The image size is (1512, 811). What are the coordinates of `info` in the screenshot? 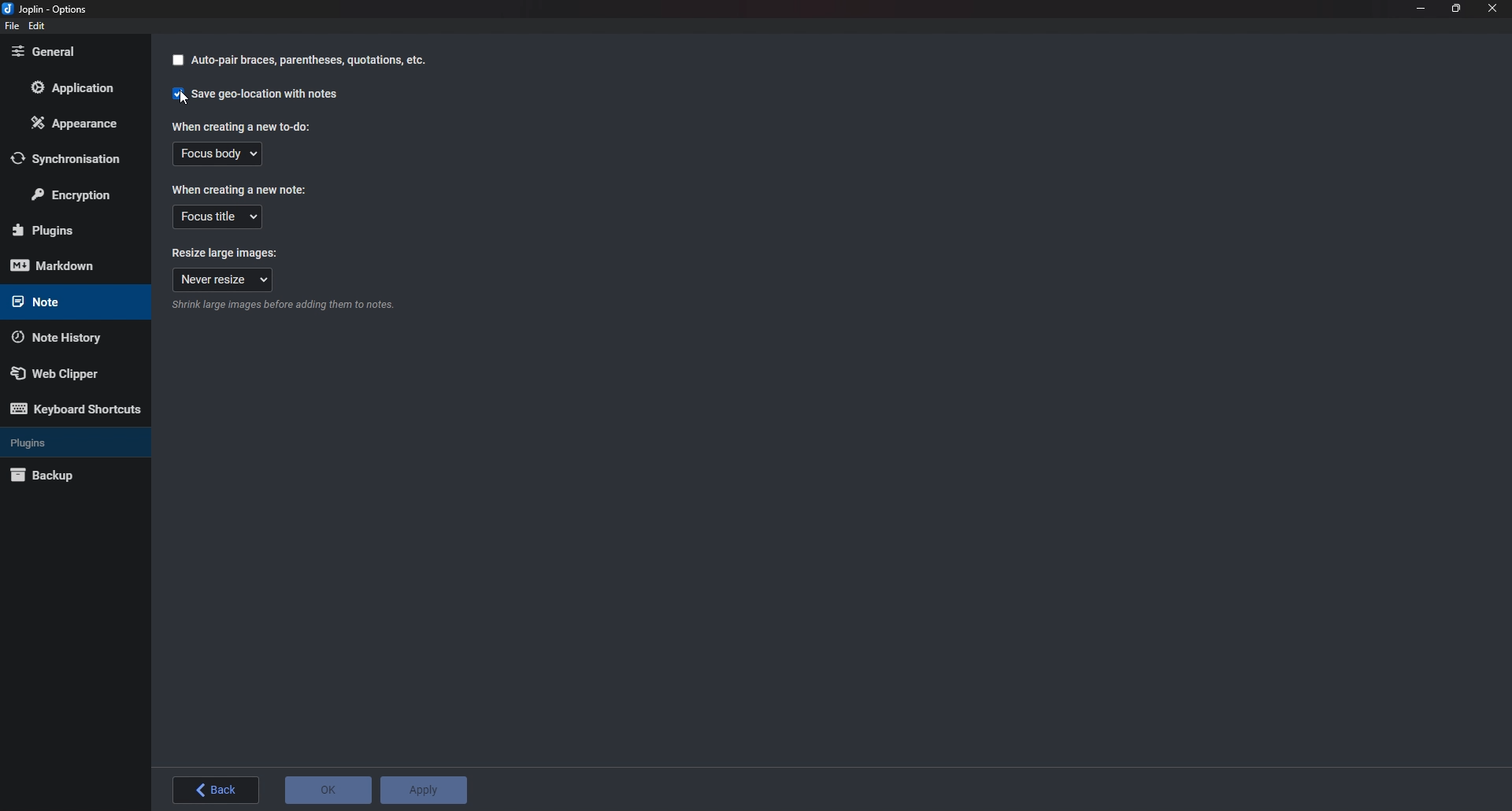 It's located at (313, 305).